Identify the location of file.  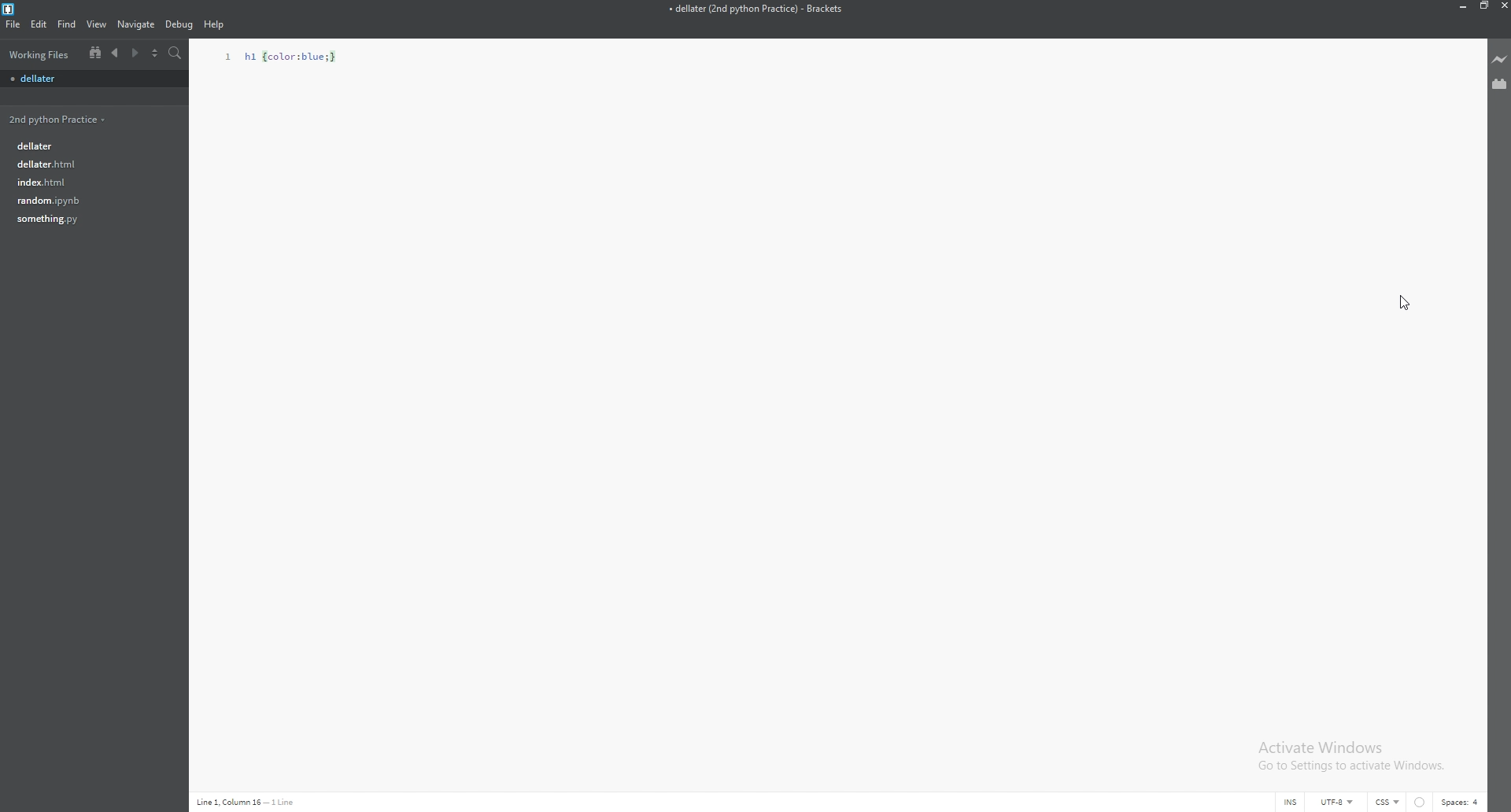
(89, 144).